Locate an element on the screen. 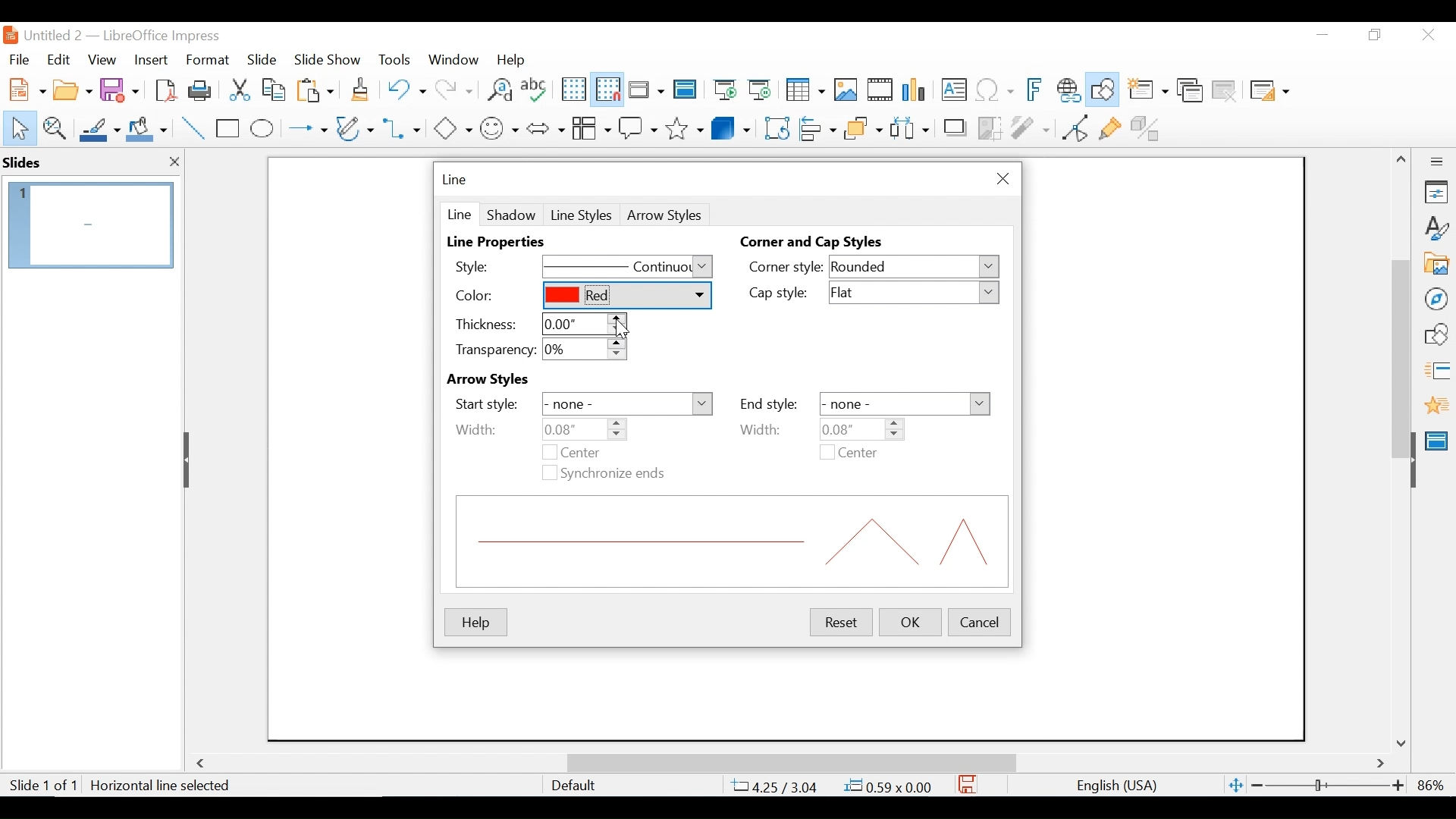 This screenshot has height=819, width=1456. Help is located at coordinates (475, 623).